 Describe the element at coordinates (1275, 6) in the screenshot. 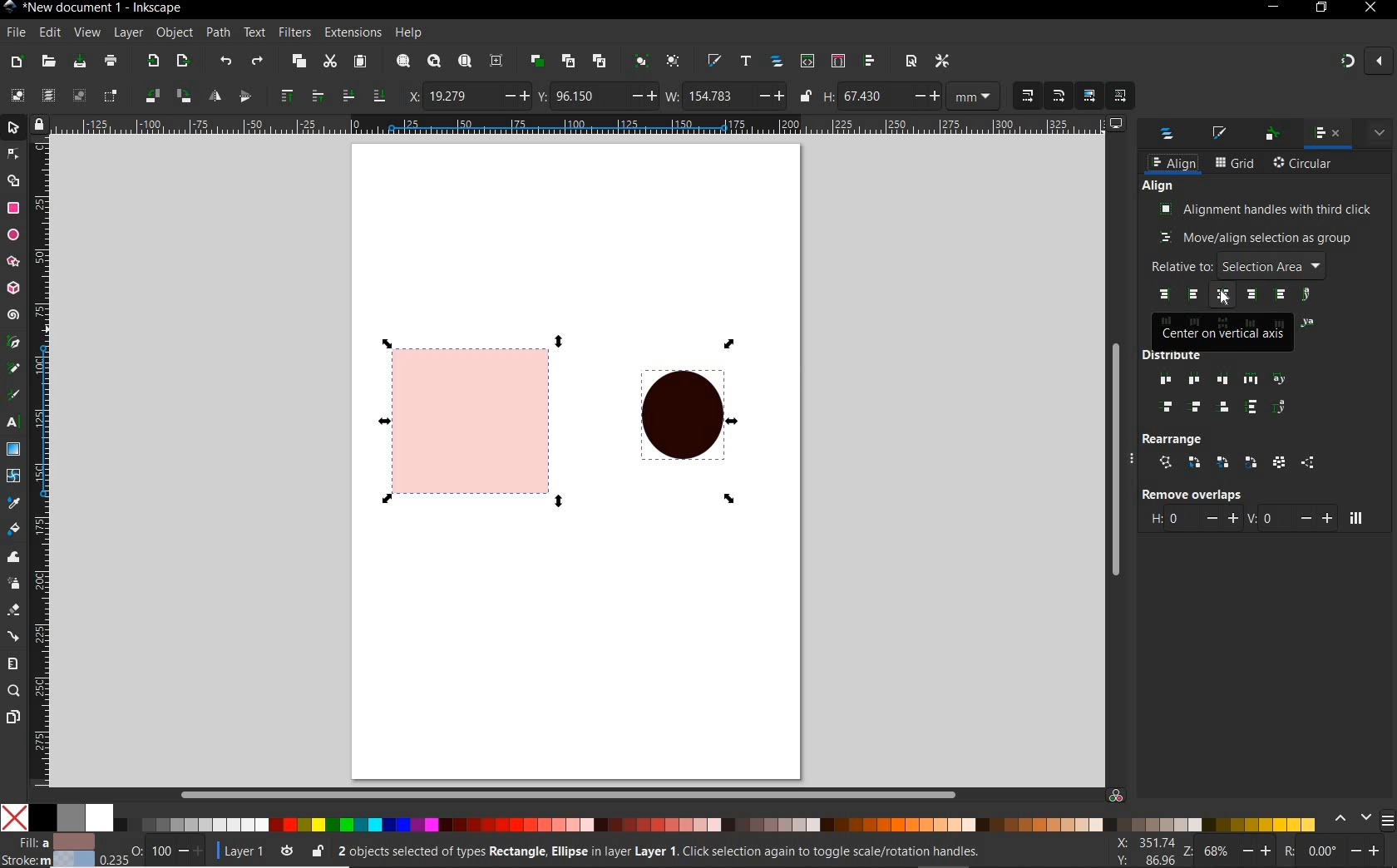

I see `minimize` at that location.